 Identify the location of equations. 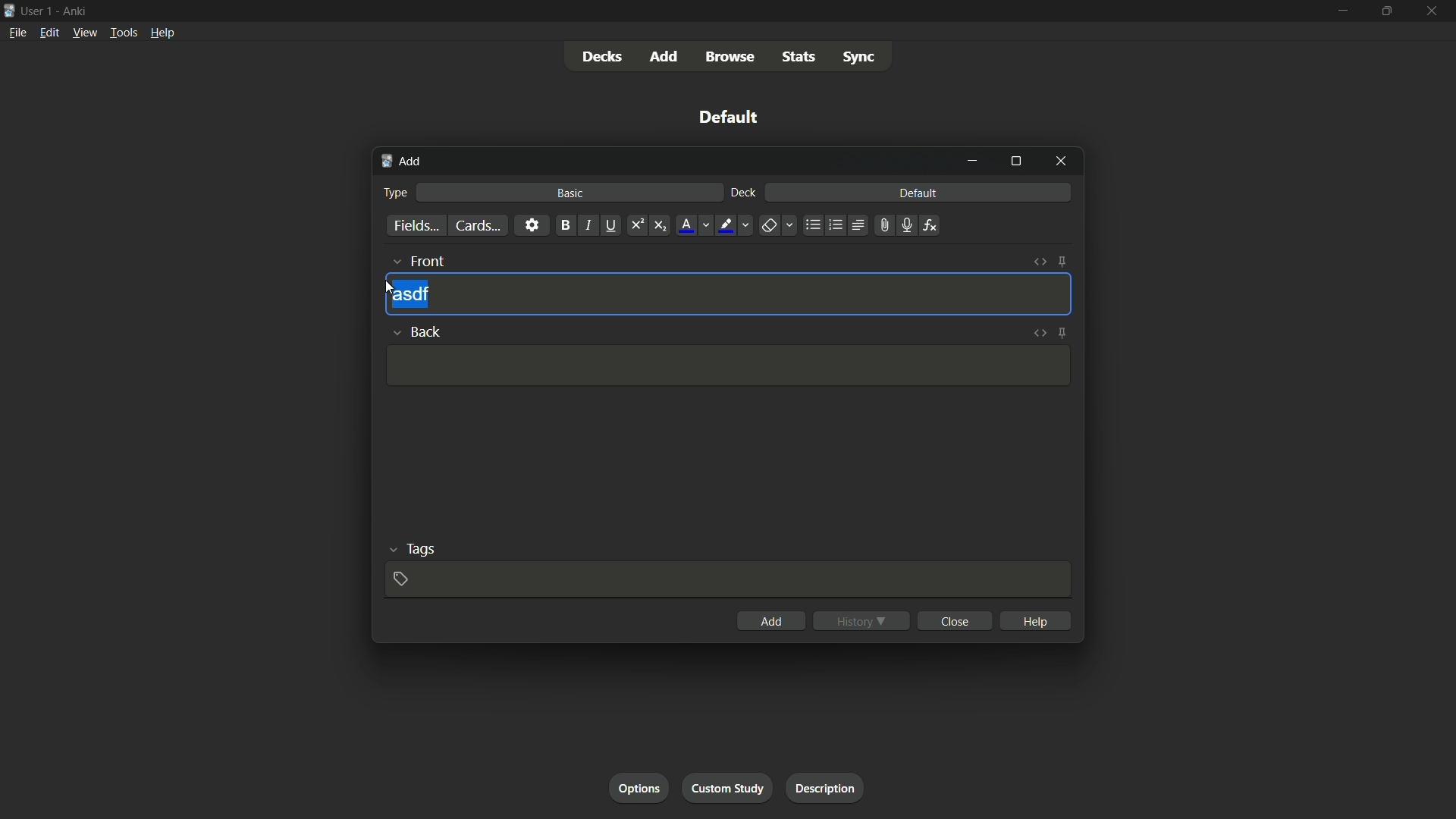
(932, 225).